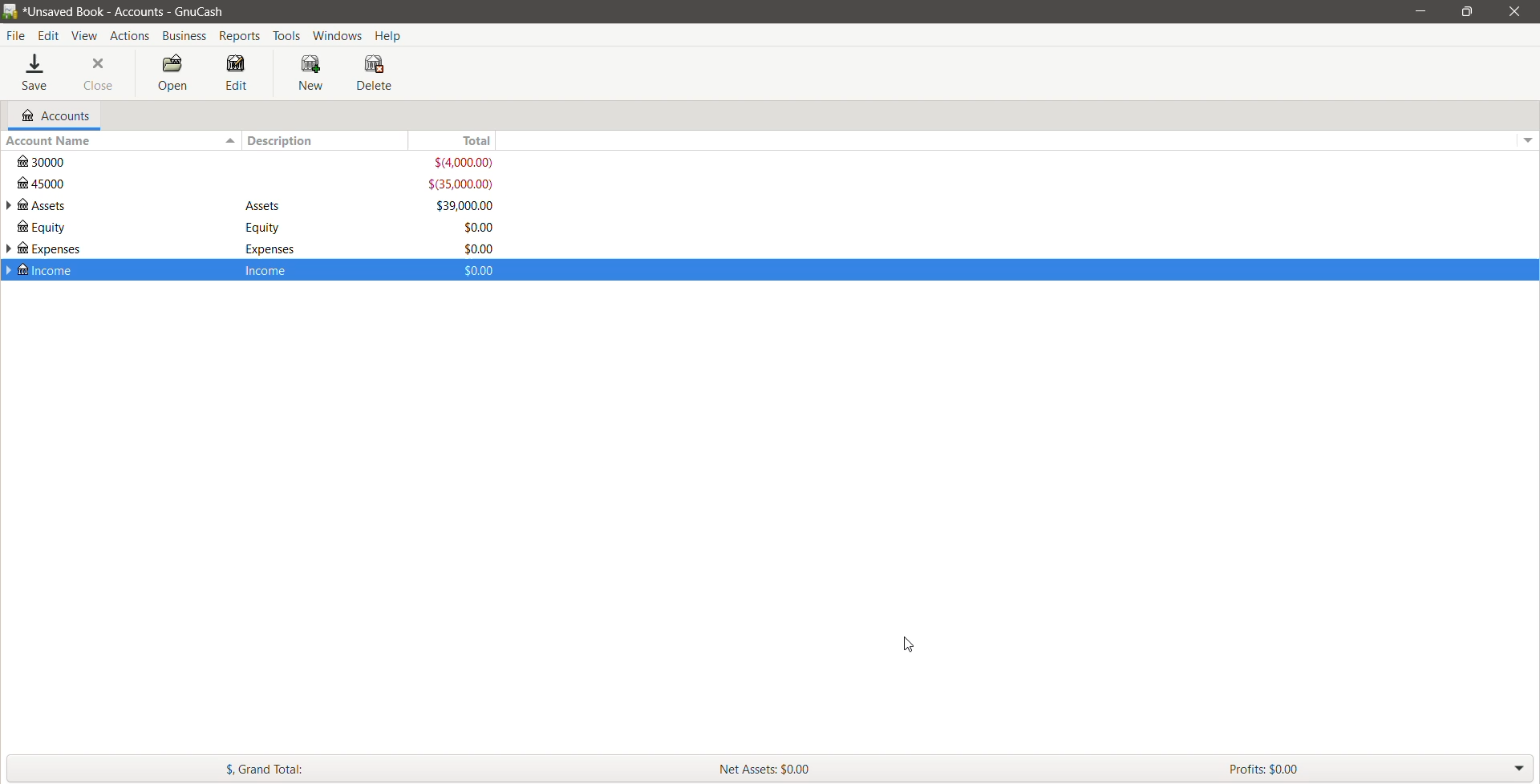 Image resolution: width=1540 pixels, height=784 pixels. What do you see at coordinates (257, 184) in the screenshot?
I see `details of the account "45000"` at bounding box center [257, 184].